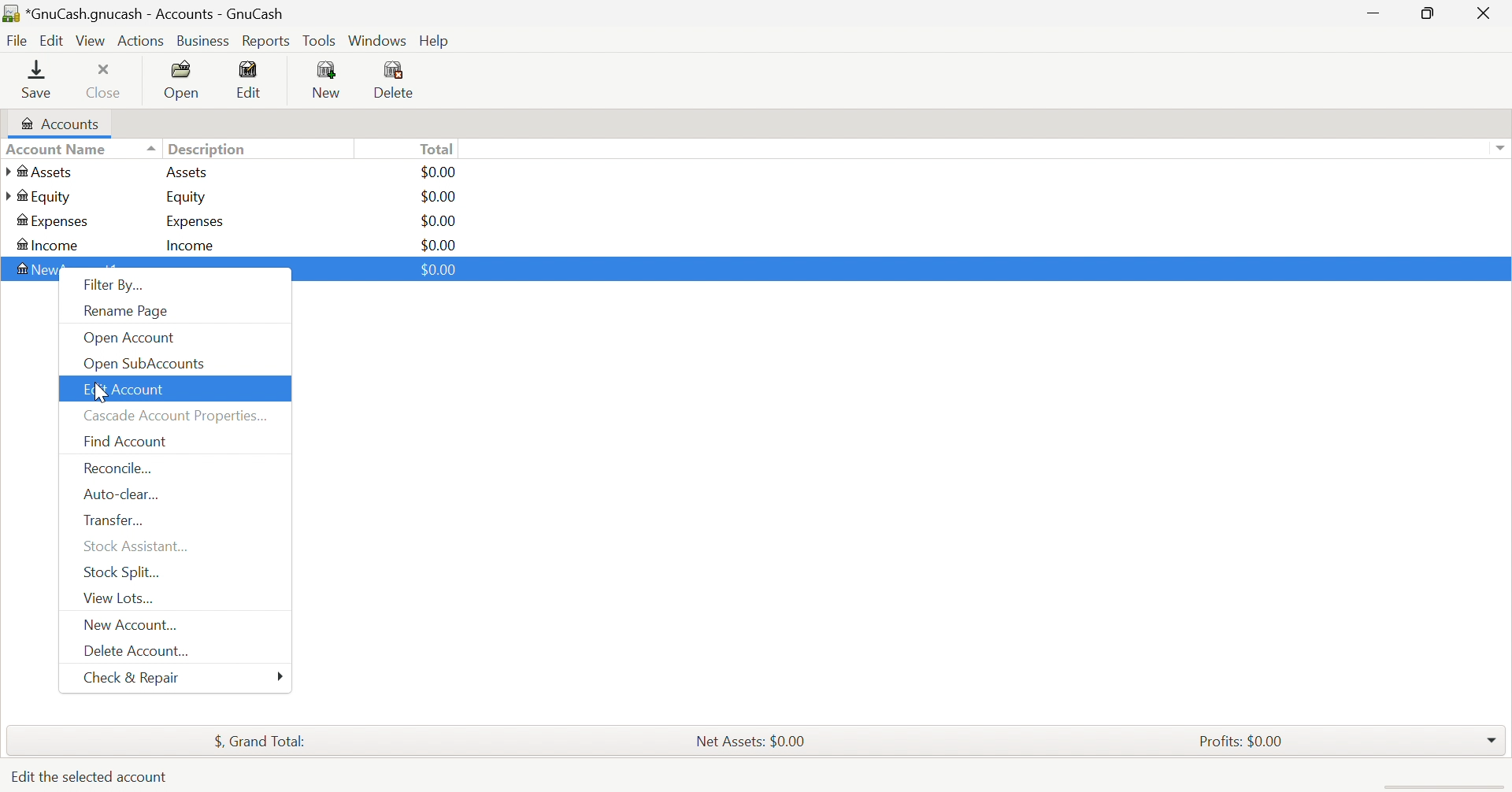 This screenshot has width=1512, height=792. What do you see at coordinates (1373, 13) in the screenshot?
I see `Minimize` at bounding box center [1373, 13].